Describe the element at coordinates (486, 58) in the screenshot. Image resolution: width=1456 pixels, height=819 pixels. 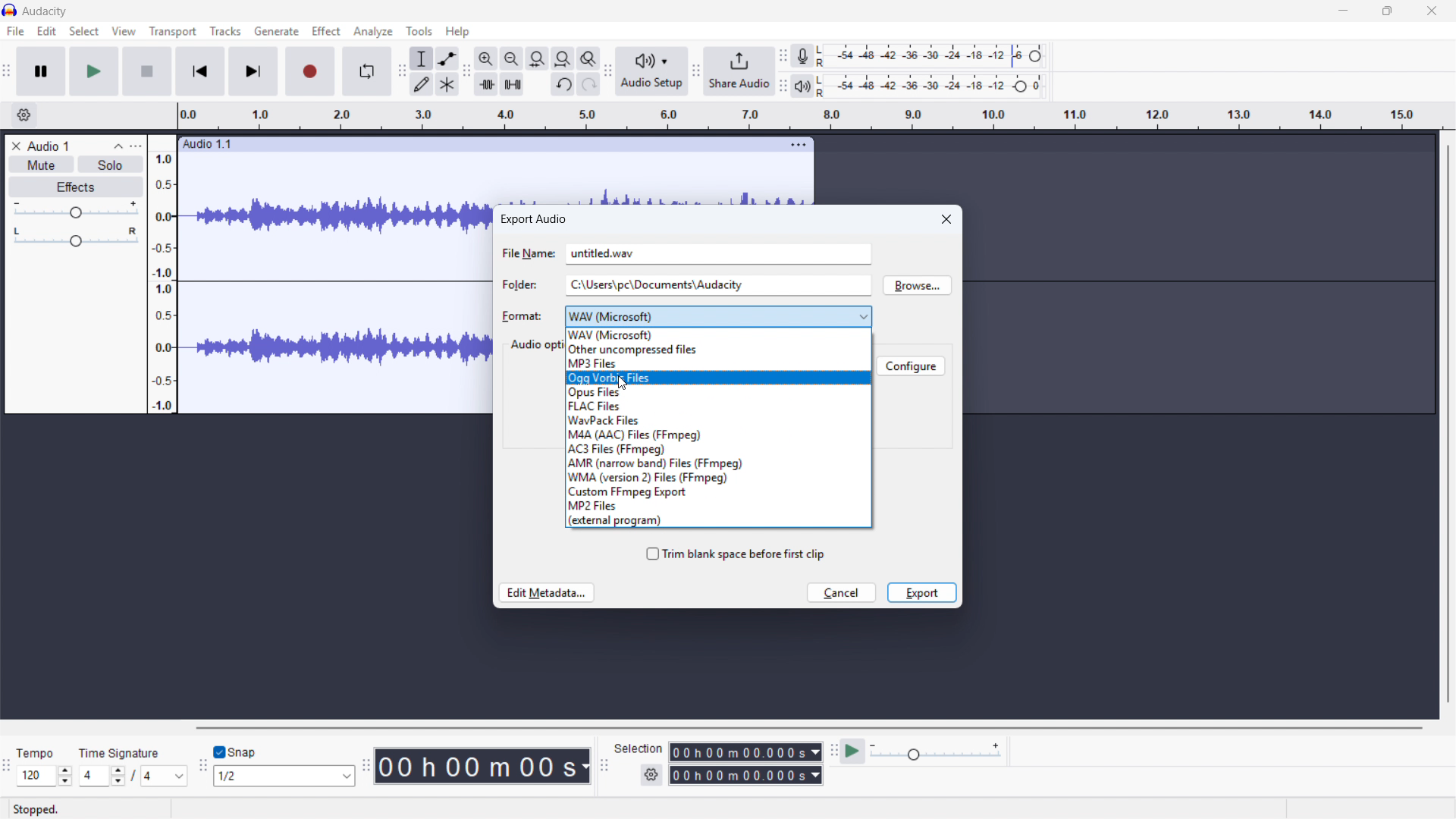
I see `Zoom in ` at that location.